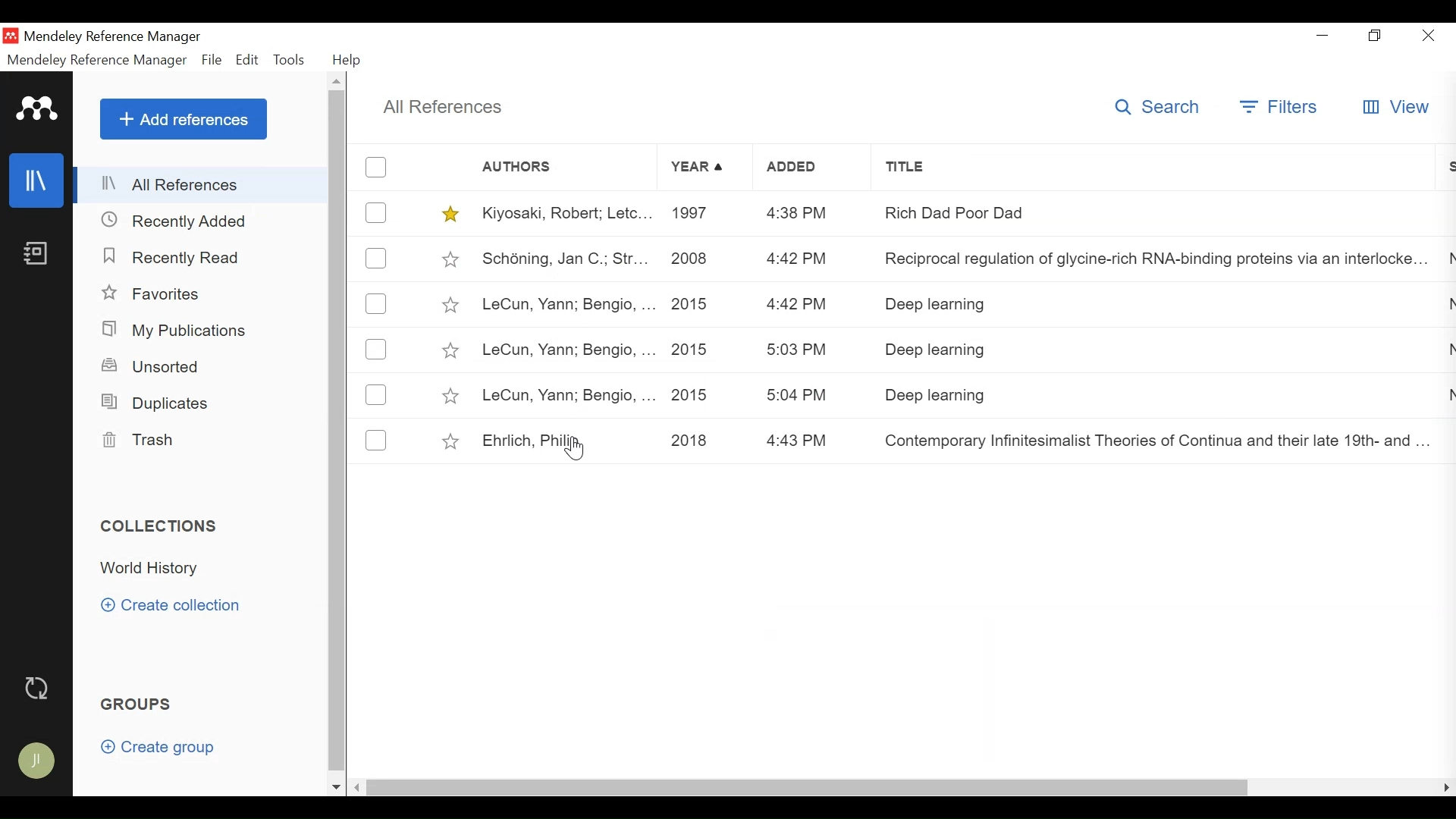  Describe the element at coordinates (567, 167) in the screenshot. I see `Author ` at that location.